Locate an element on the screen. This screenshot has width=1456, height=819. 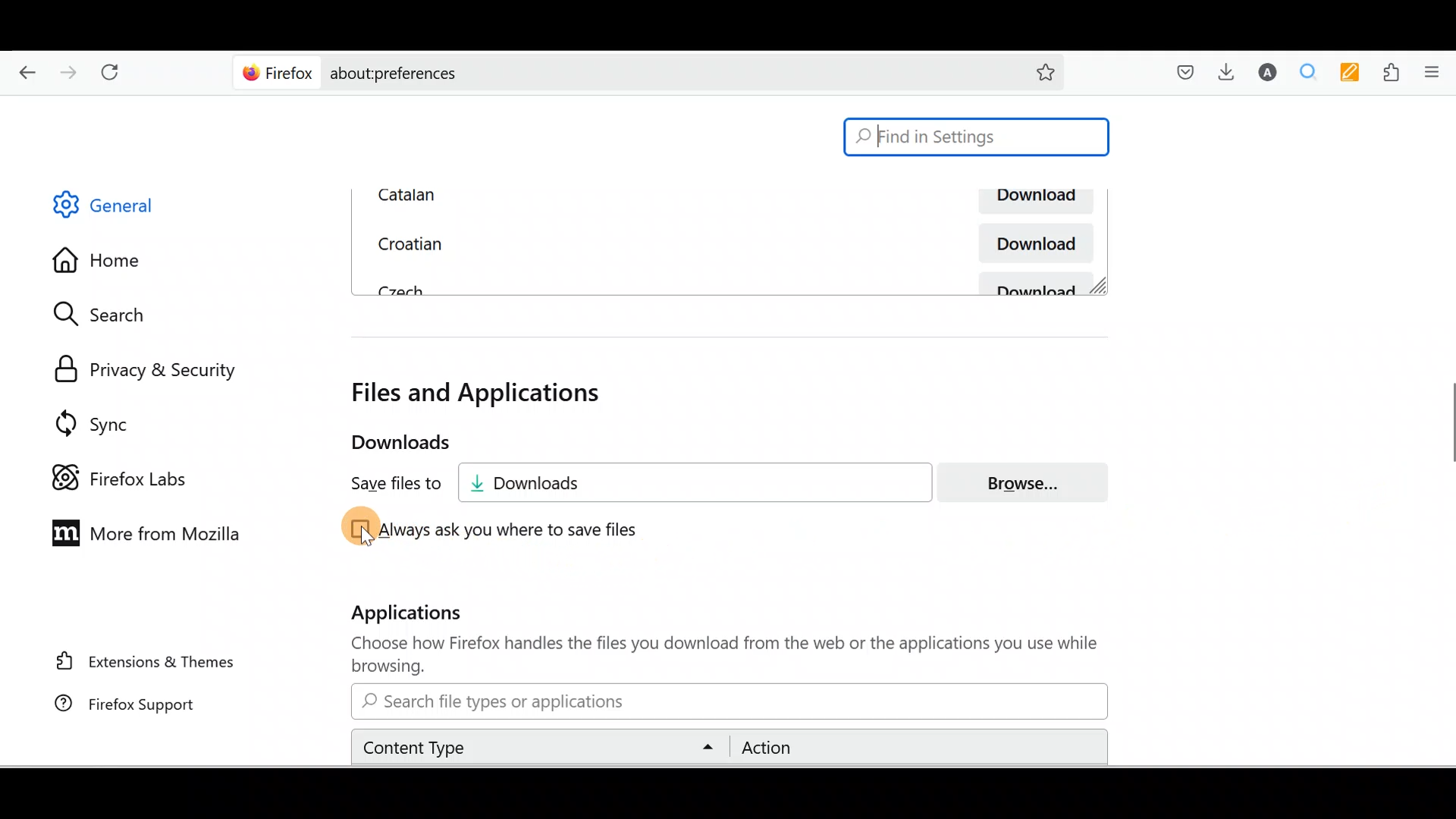
Go forward one page is located at coordinates (71, 75).